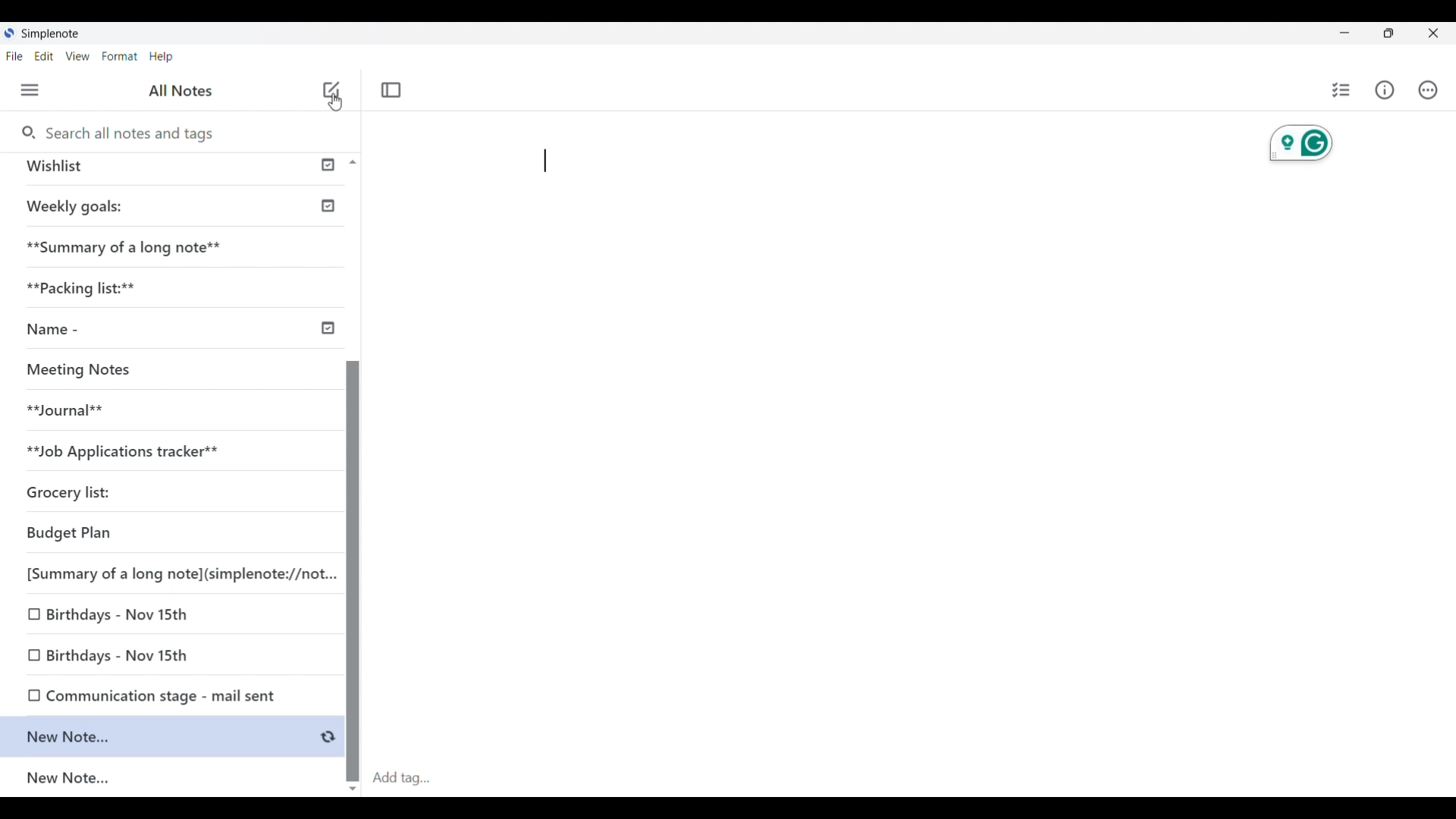 This screenshot has width=1456, height=819. What do you see at coordinates (9, 33) in the screenshot?
I see `Simplenote logo` at bounding box center [9, 33].